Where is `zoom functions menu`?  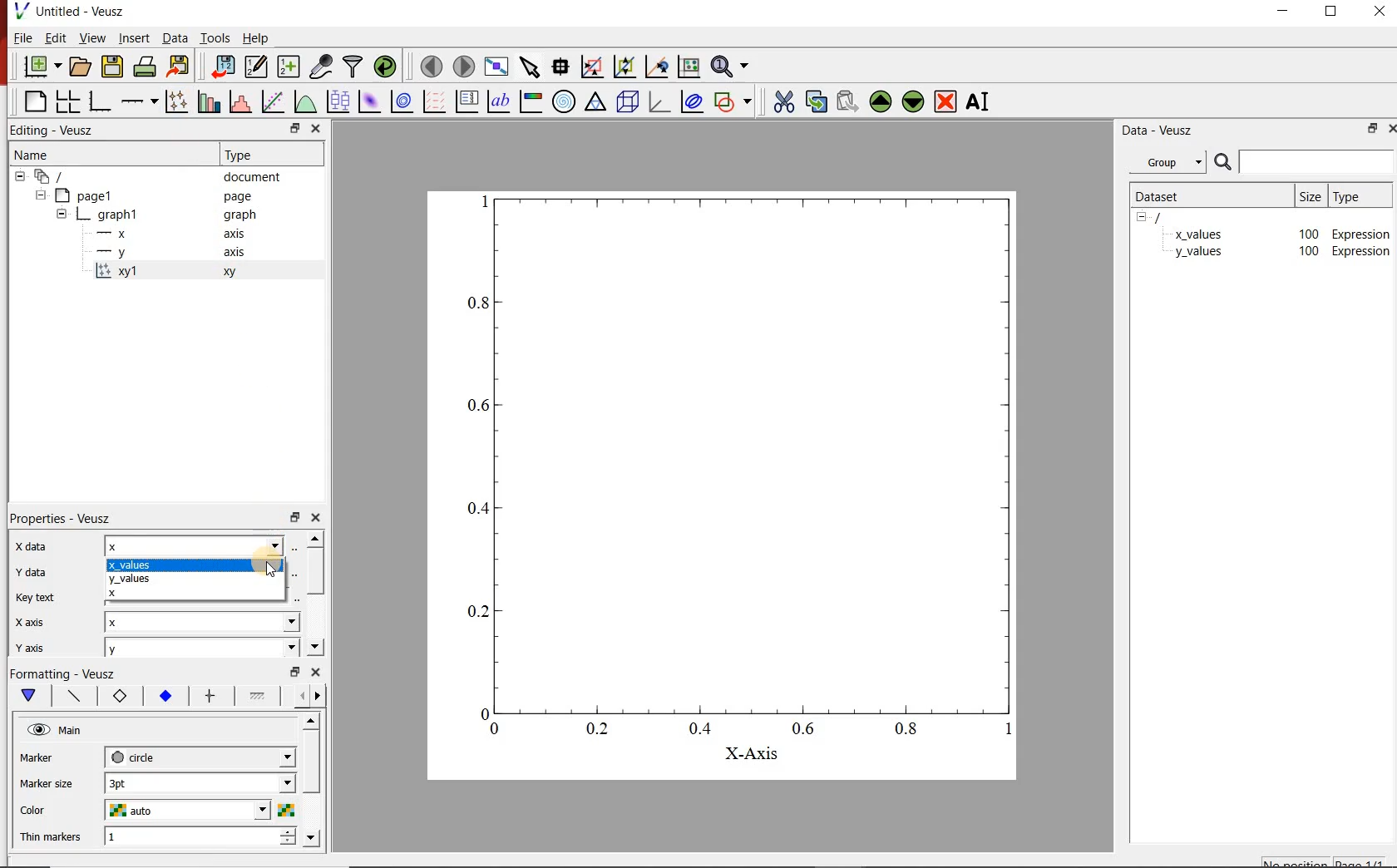
zoom functions menu is located at coordinates (730, 68).